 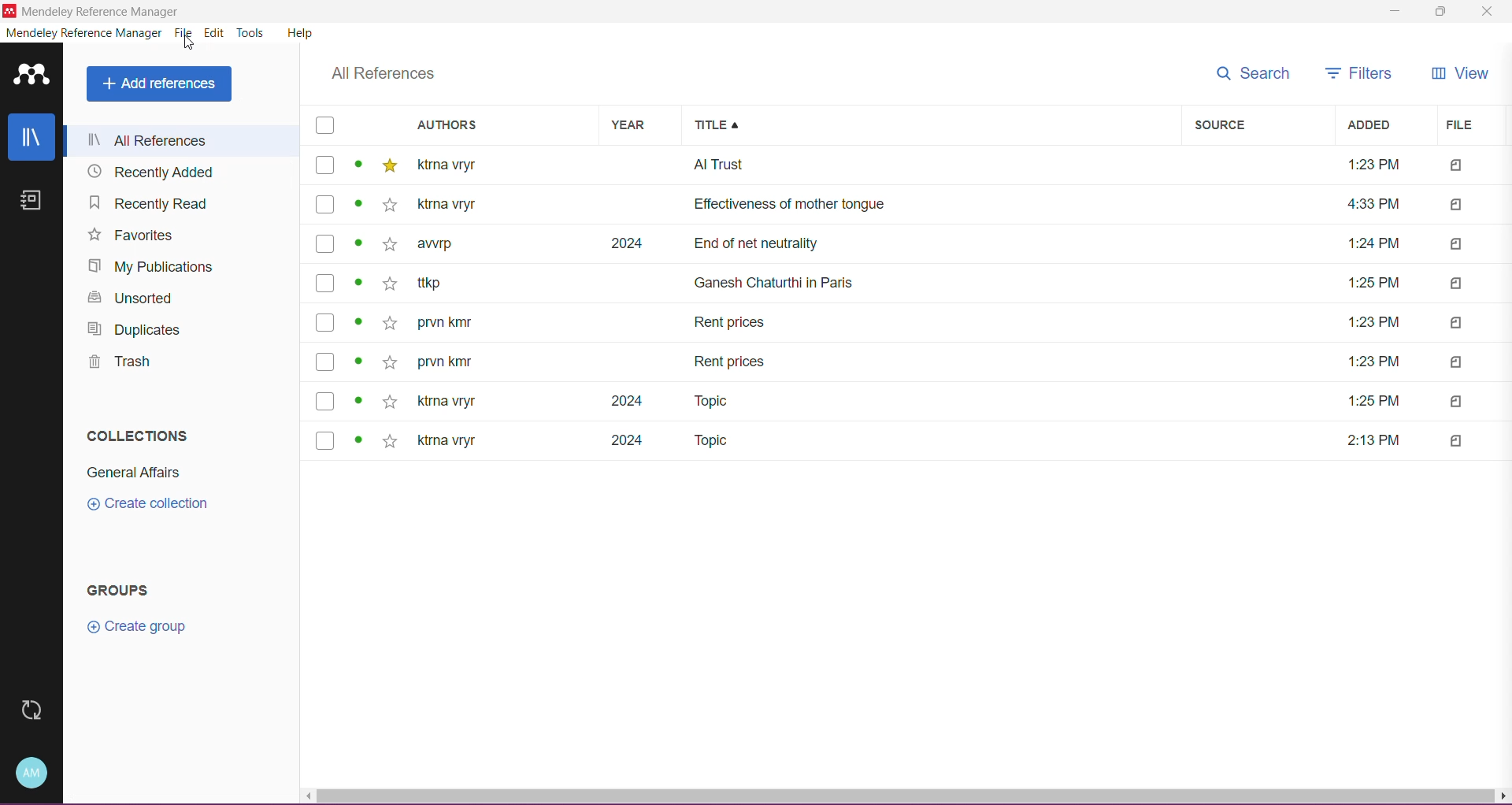 I want to click on Trash, so click(x=120, y=365).